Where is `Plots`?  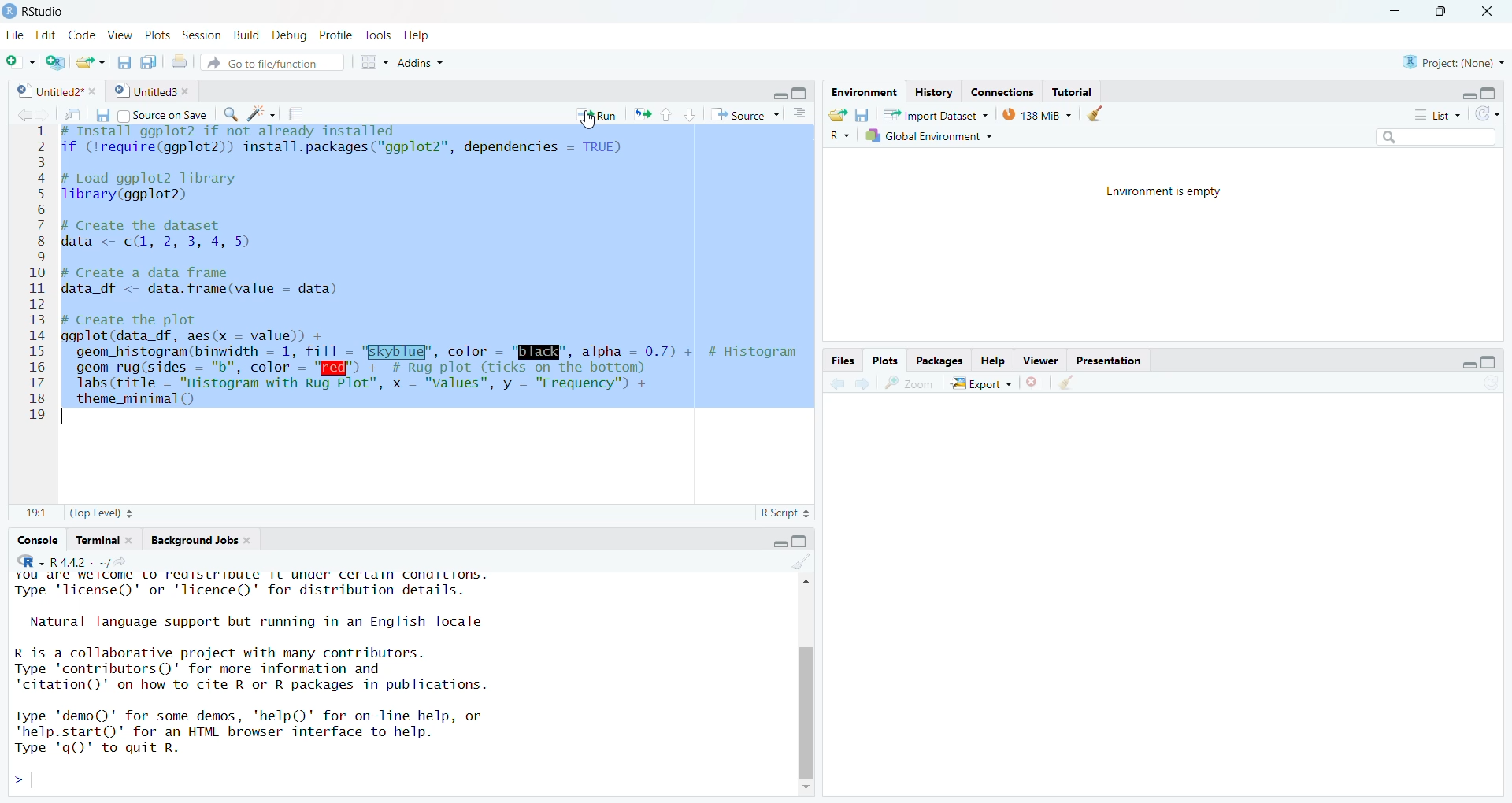 Plots is located at coordinates (157, 33).